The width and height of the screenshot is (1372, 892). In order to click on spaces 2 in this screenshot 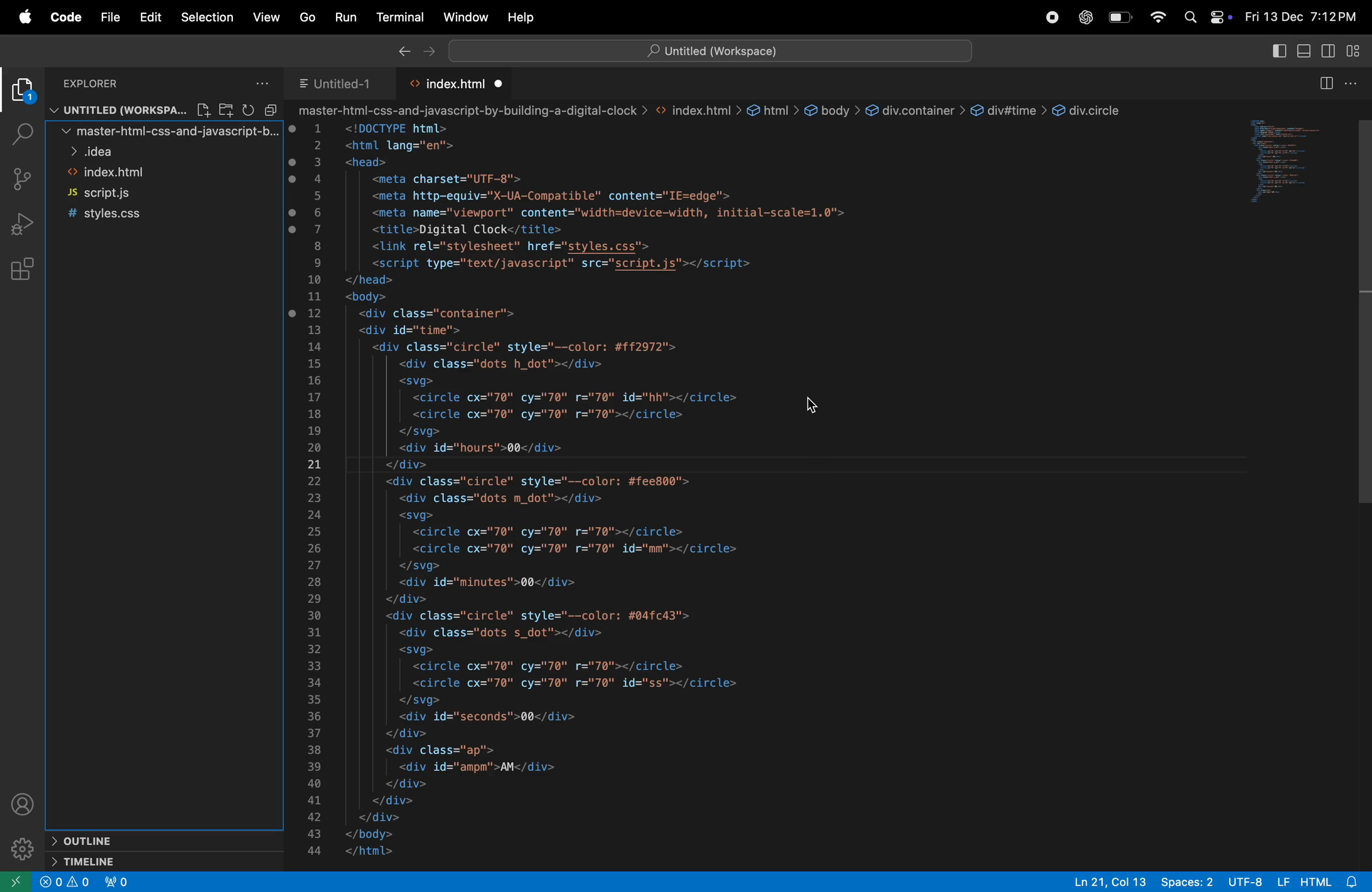, I will do `click(1189, 882)`.